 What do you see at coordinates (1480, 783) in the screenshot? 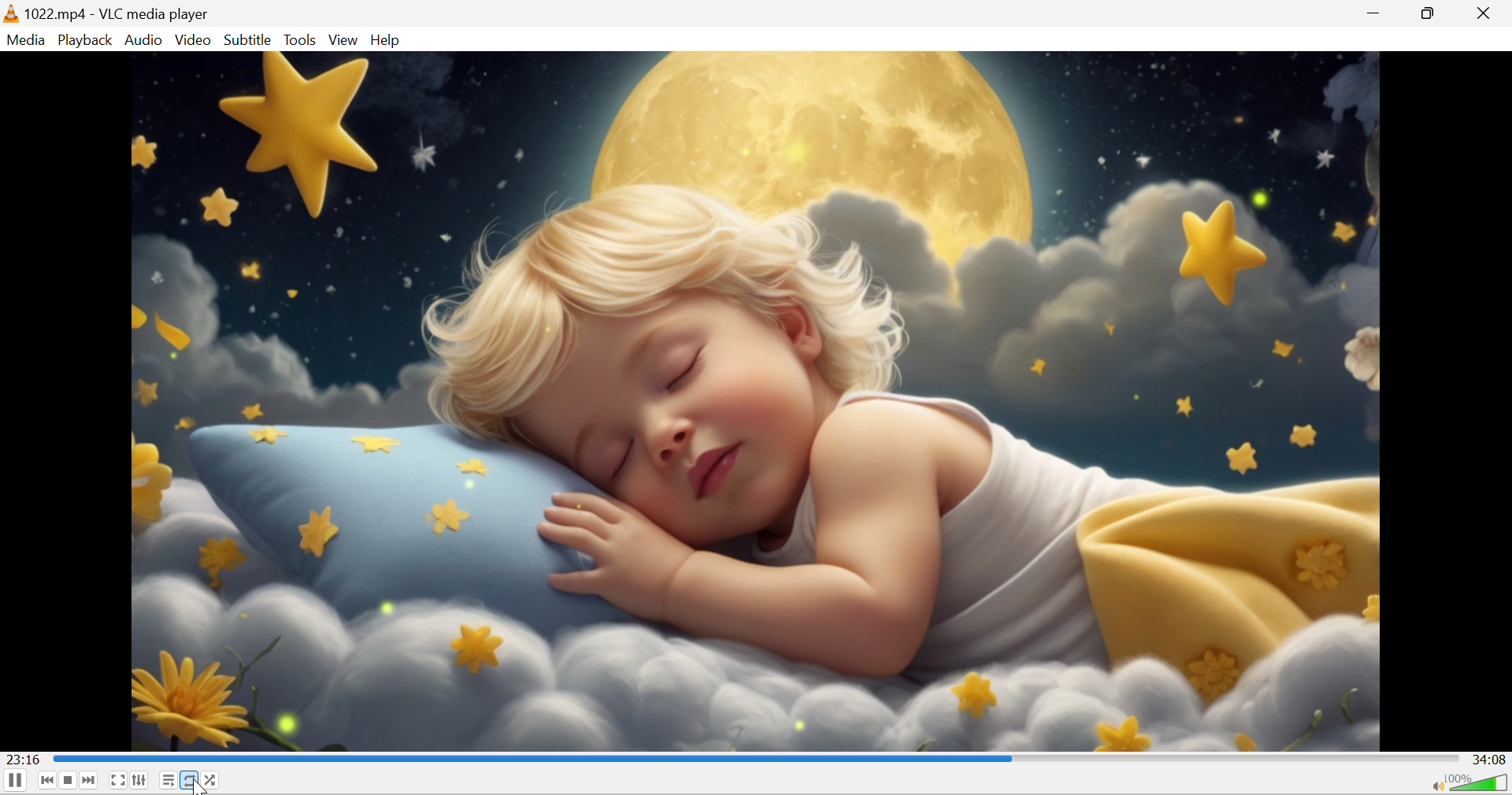
I see `Volume` at bounding box center [1480, 783].